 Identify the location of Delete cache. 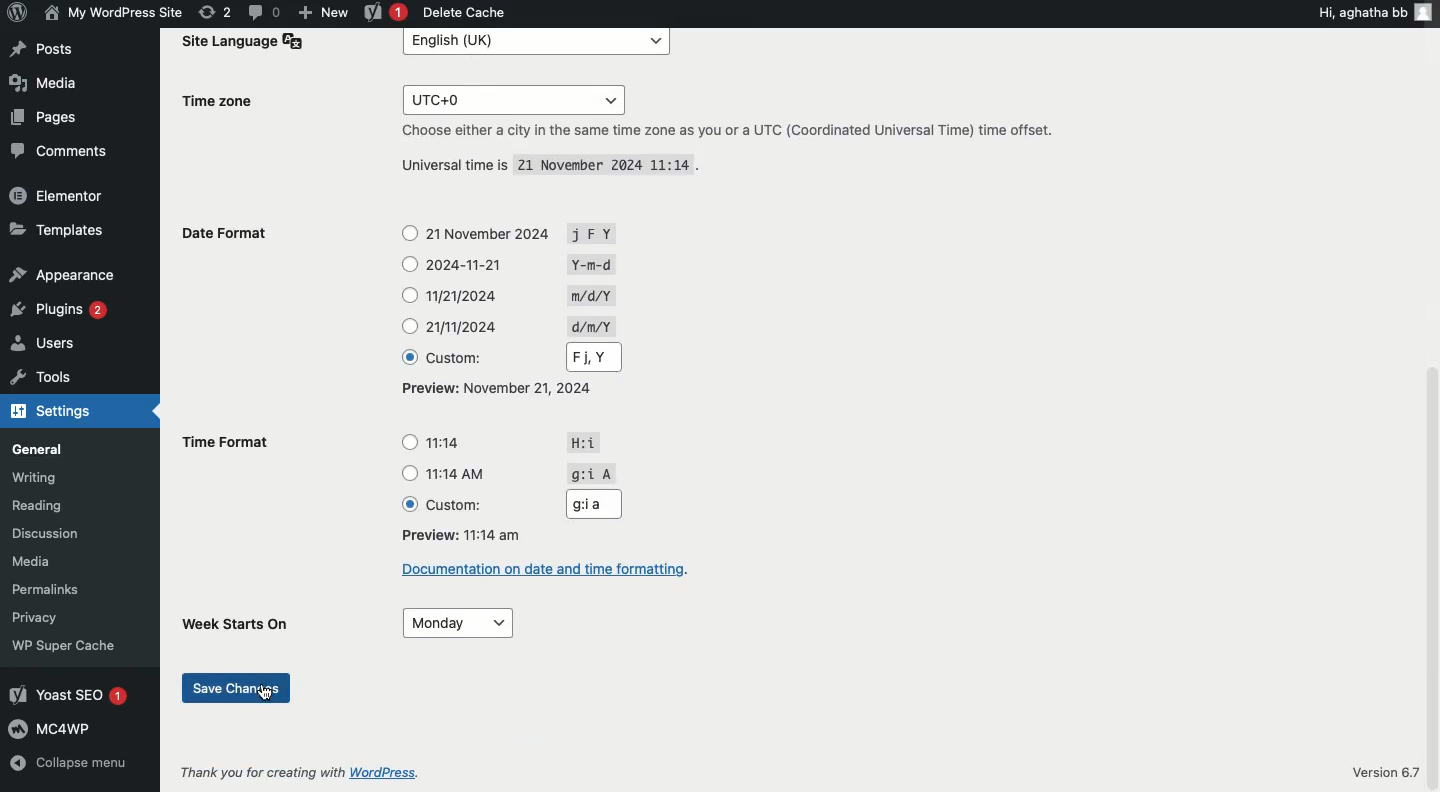
(468, 12).